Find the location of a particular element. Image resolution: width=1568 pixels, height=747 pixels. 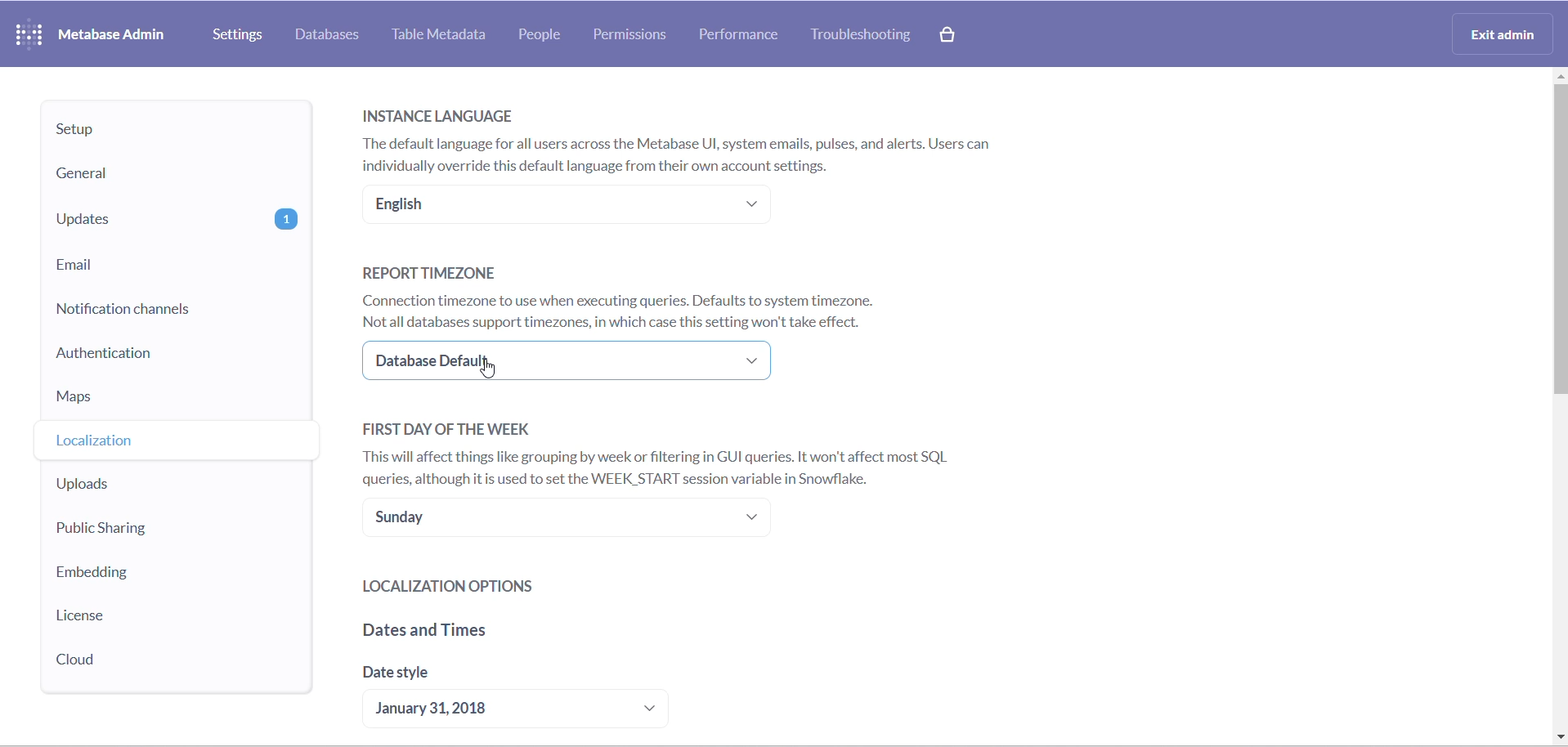

scrollbar is located at coordinates (1558, 264).